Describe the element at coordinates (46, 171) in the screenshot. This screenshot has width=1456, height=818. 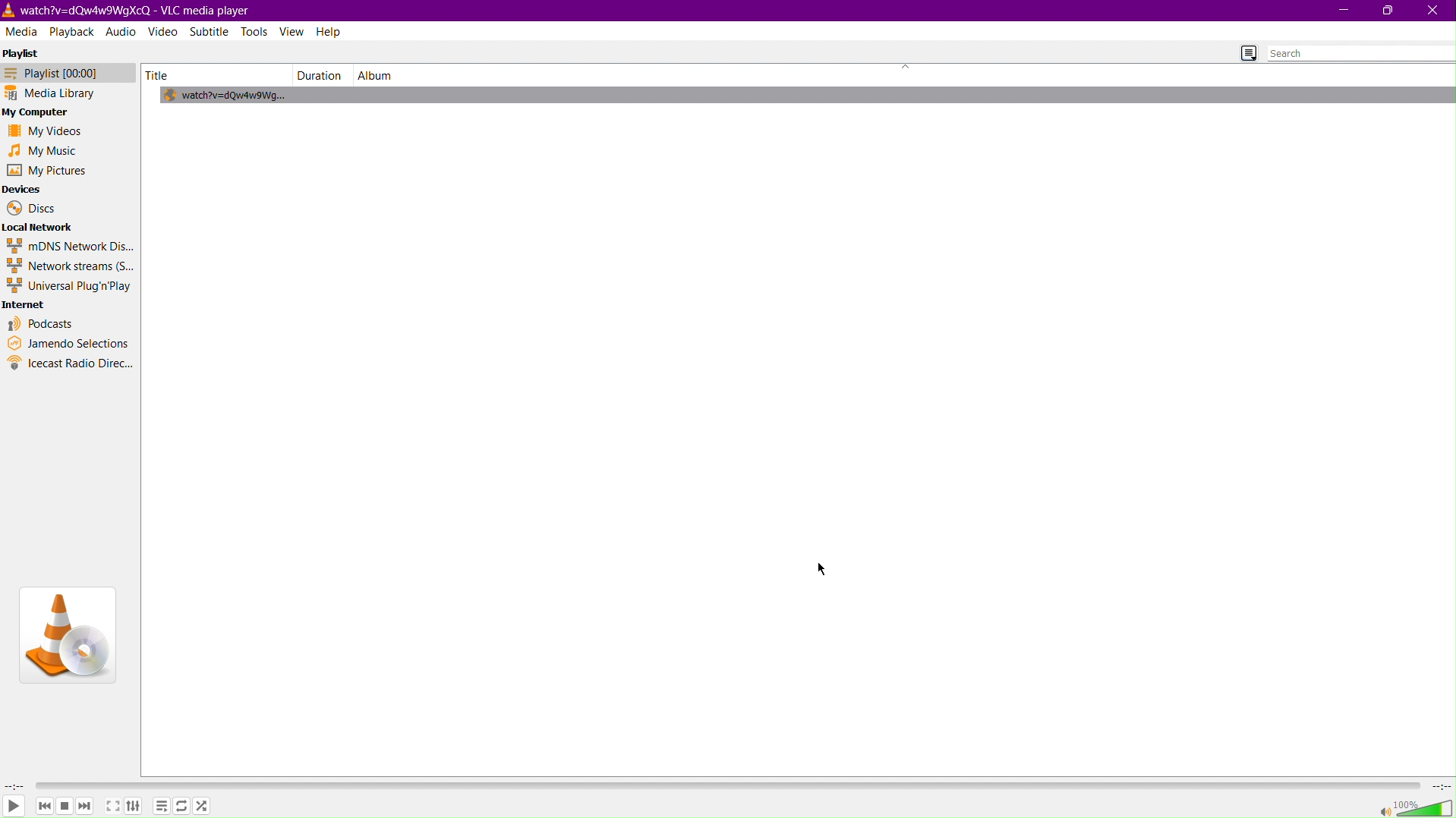
I see `My Pictures` at that location.